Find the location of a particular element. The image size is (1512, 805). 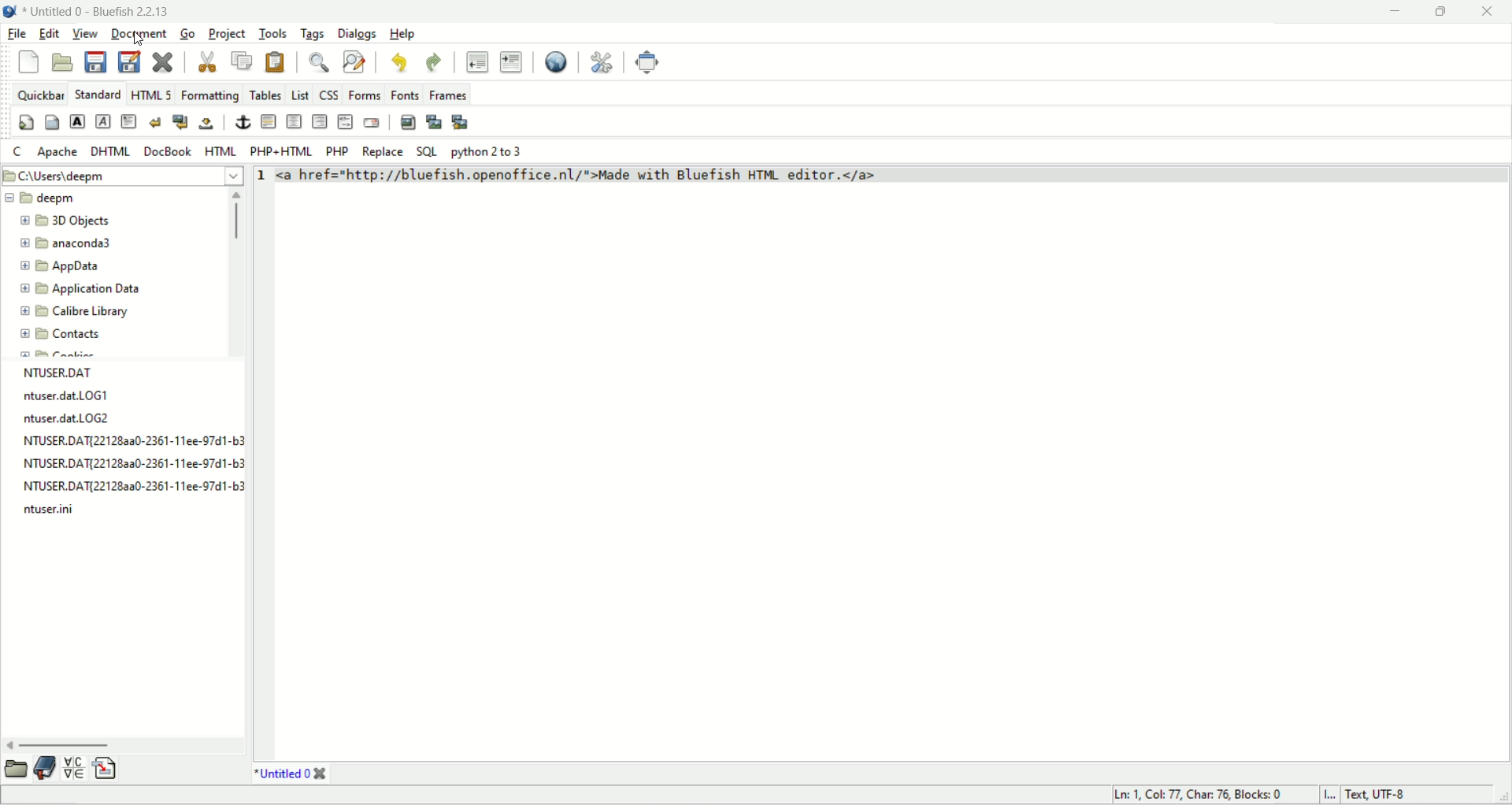

deepm is located at coordinates (41, 198).